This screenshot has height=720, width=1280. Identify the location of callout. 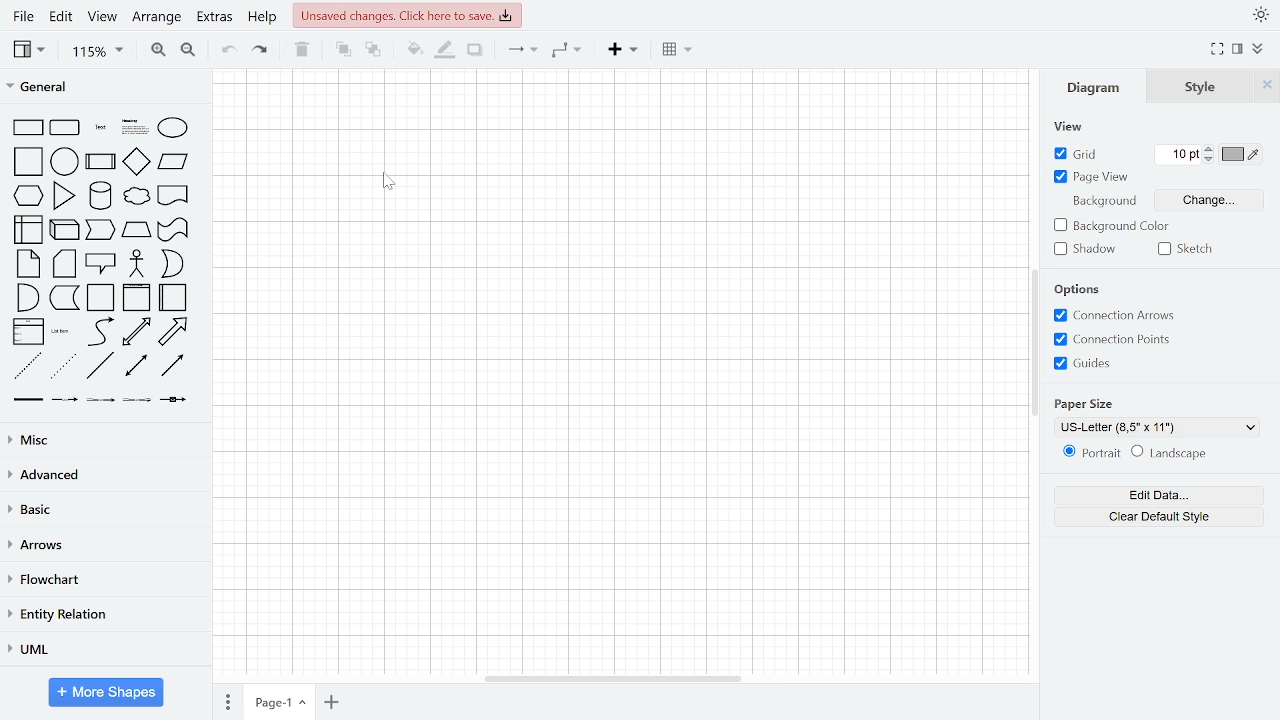
(99, 263).